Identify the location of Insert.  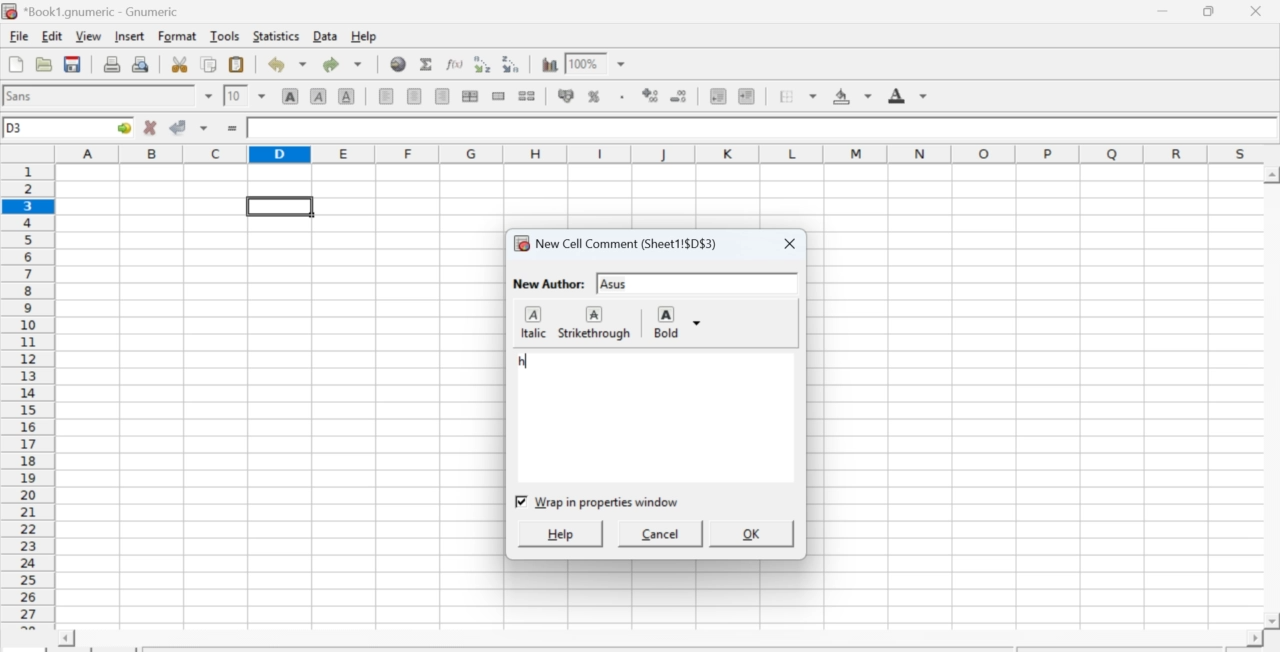
(130, 35).